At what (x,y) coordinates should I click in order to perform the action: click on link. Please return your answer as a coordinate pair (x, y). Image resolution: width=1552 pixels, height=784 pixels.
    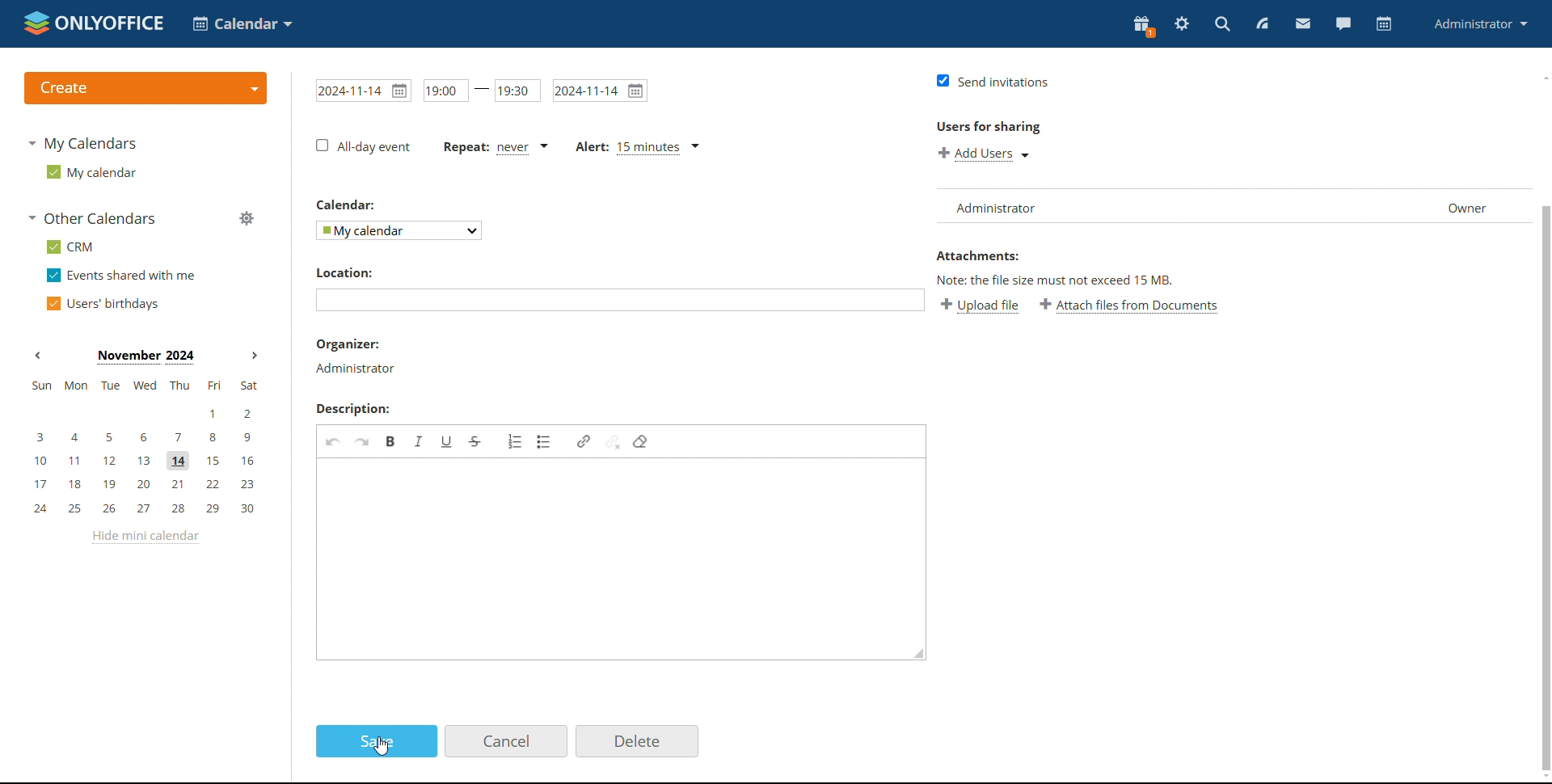
    Looking at the image, I should click on (585, 441).